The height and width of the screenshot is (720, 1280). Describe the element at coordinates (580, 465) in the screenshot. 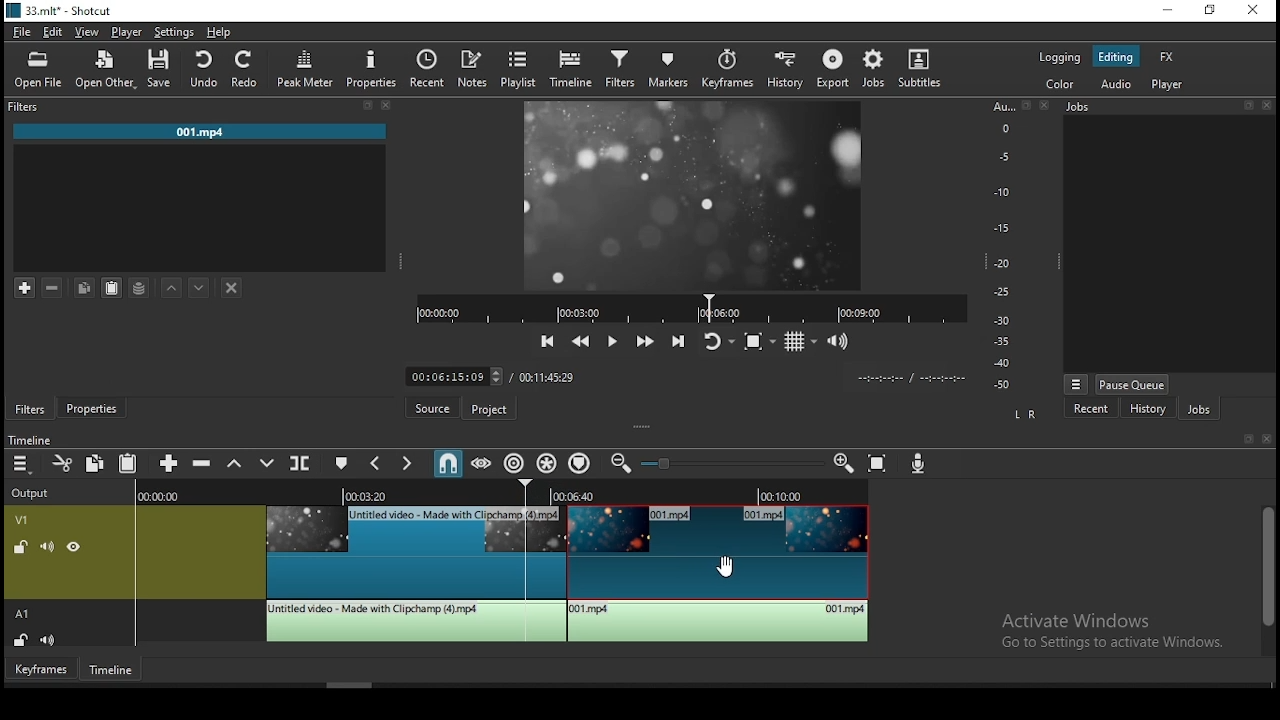

I see `ripple markers` at that location.